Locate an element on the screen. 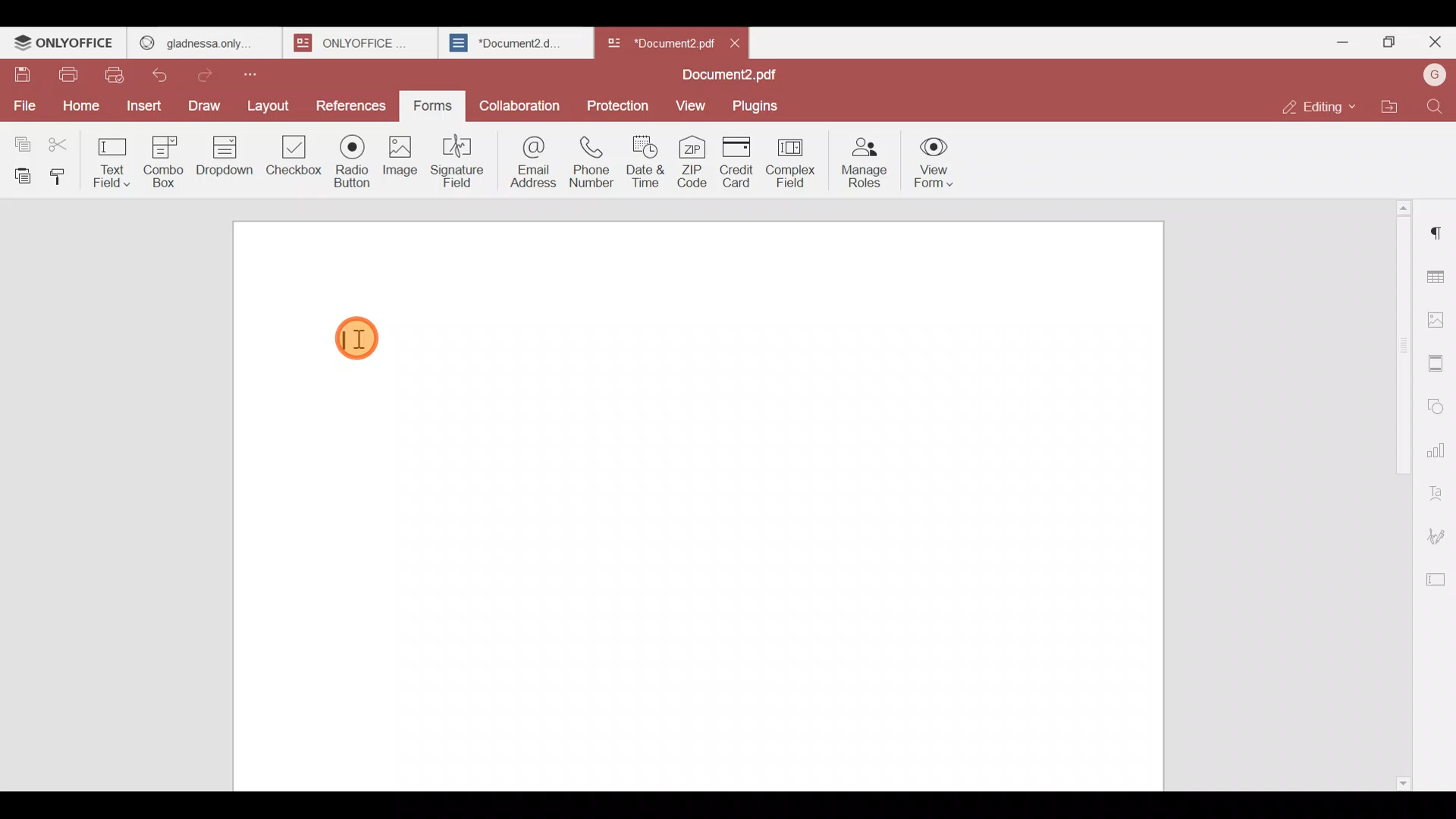 Image resolution: width=1456 pixels, height=819 pixels. Manage roles is located at coordinates (864, 160).